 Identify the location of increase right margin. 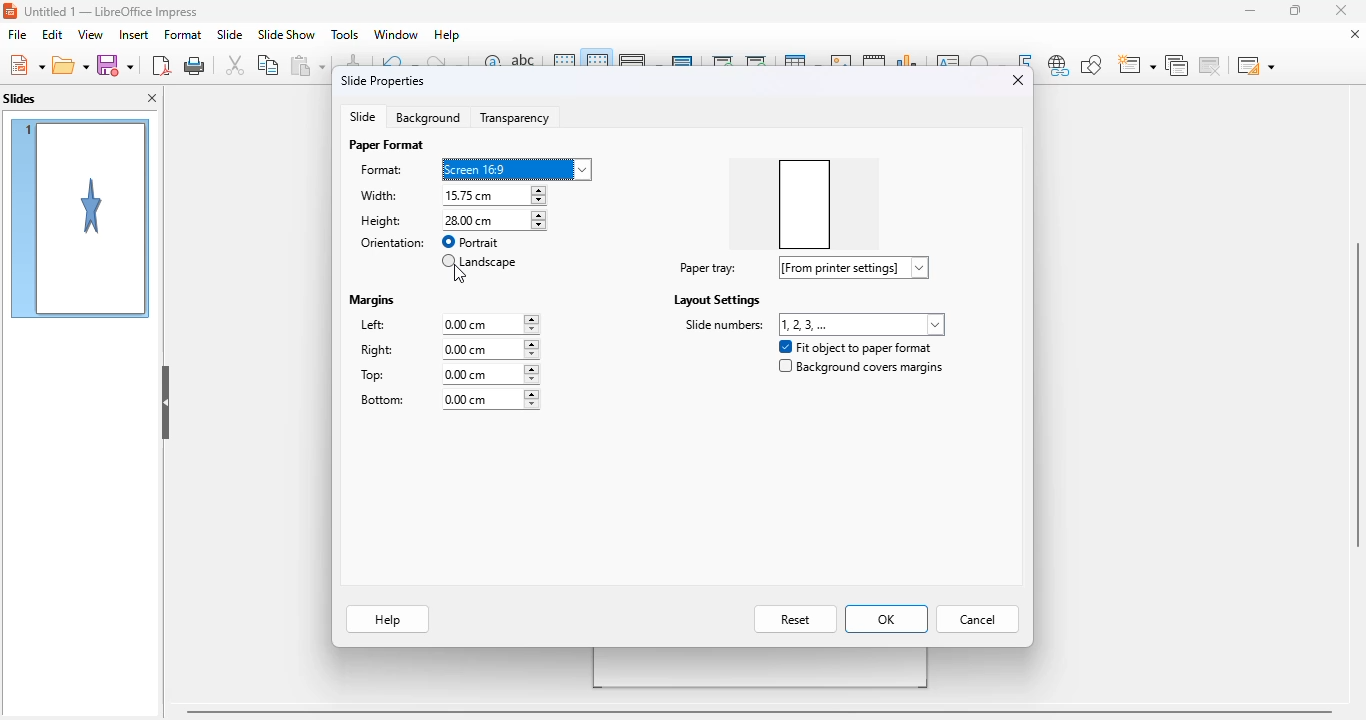
(533, 344).